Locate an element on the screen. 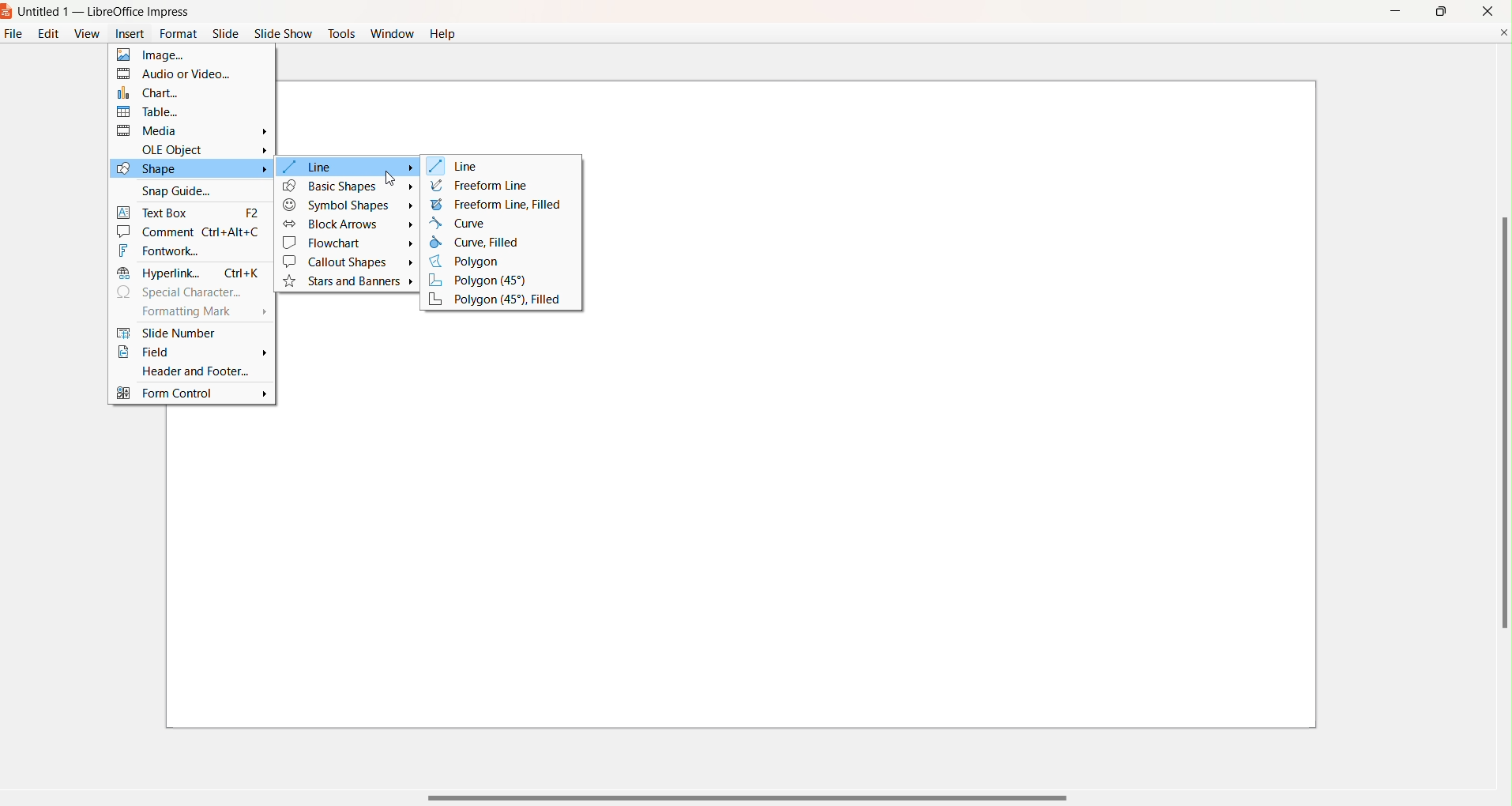 The height and width of the screenshot is (806, 1512). Block Arrows is located at coordinates (348, 224).